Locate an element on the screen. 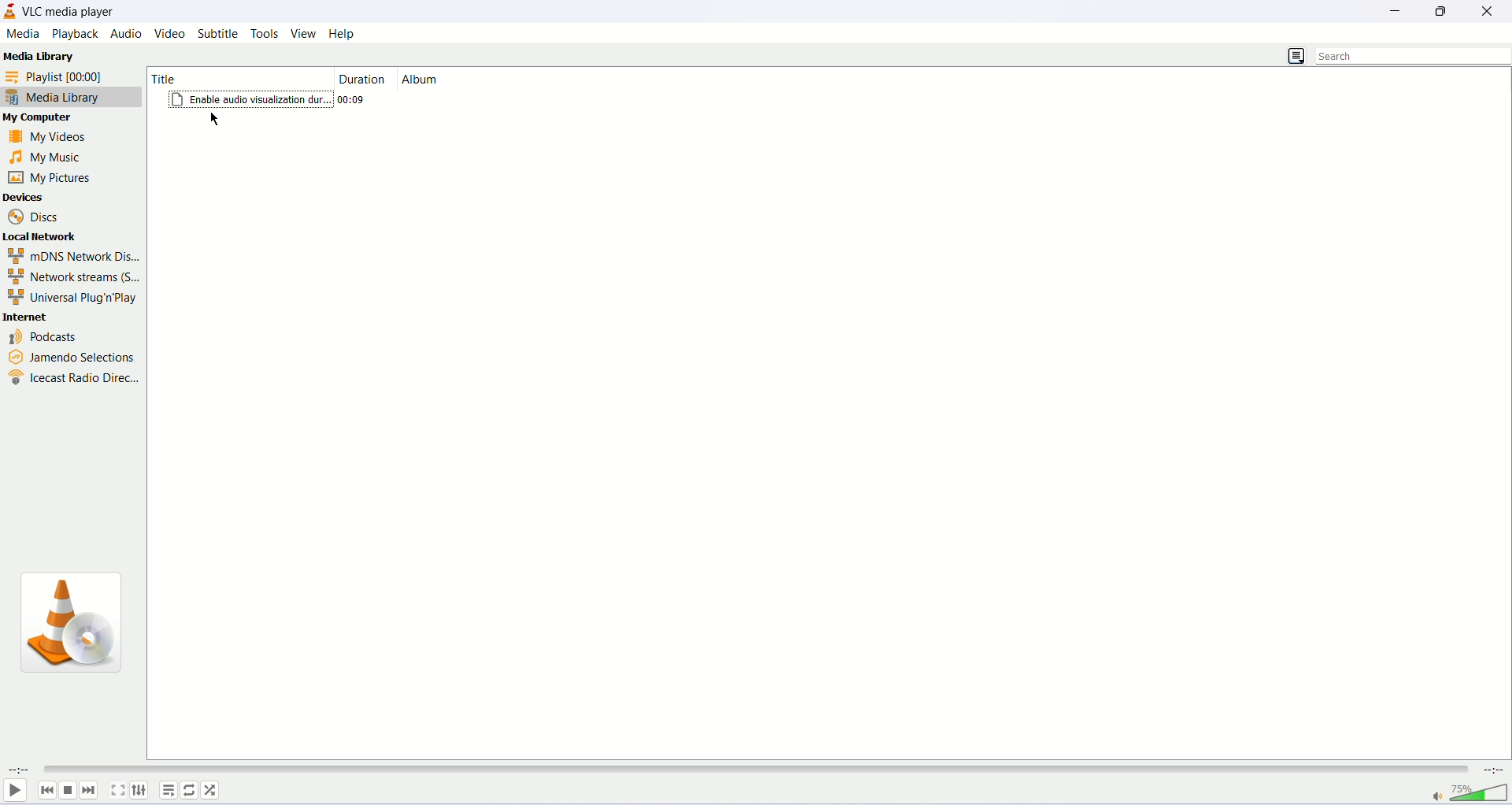 The width and height of the screenshot is (1512, 805). Media Library is located at coordinates (39, 57).